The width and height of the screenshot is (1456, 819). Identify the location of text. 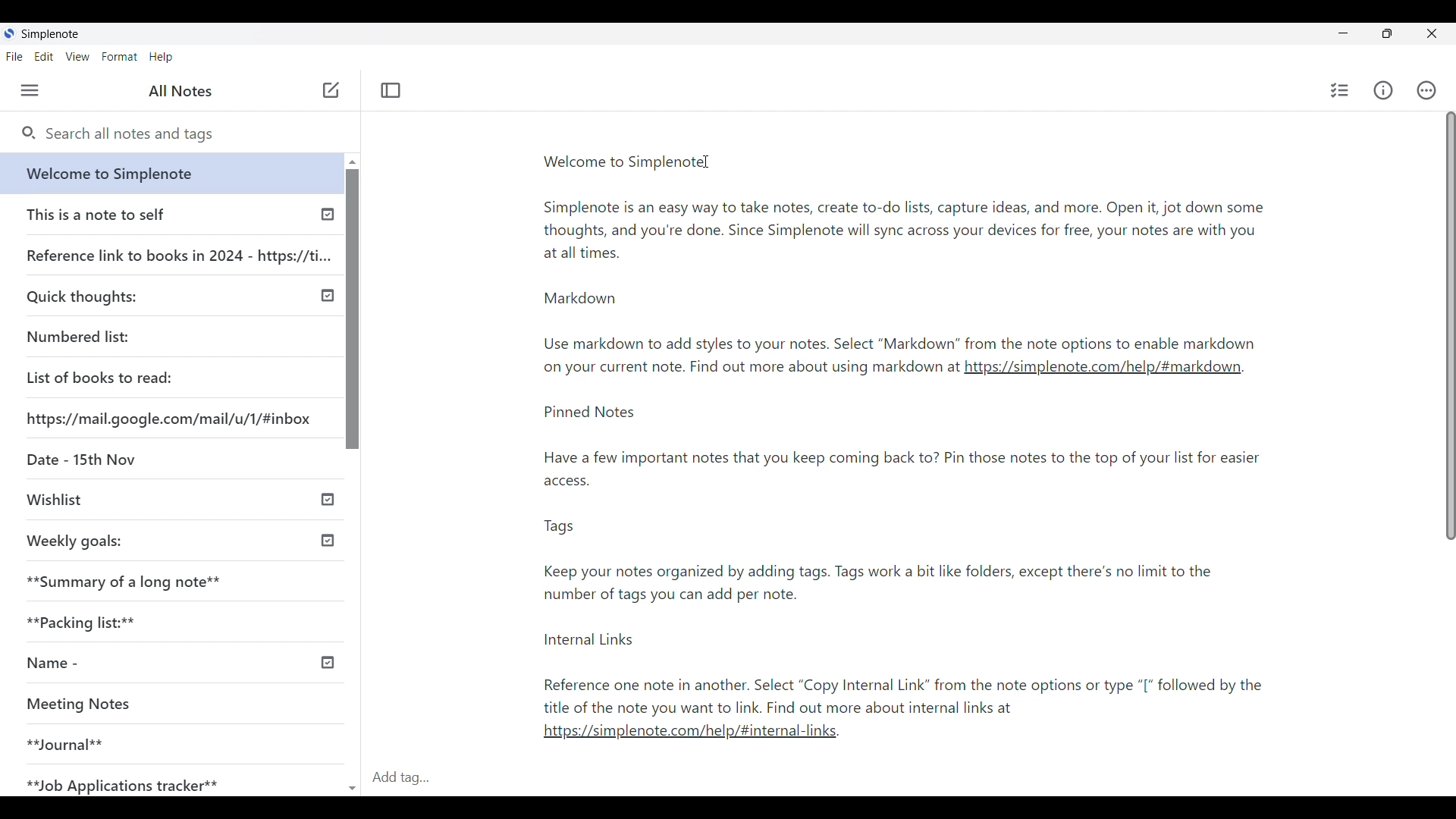
(918, 563).